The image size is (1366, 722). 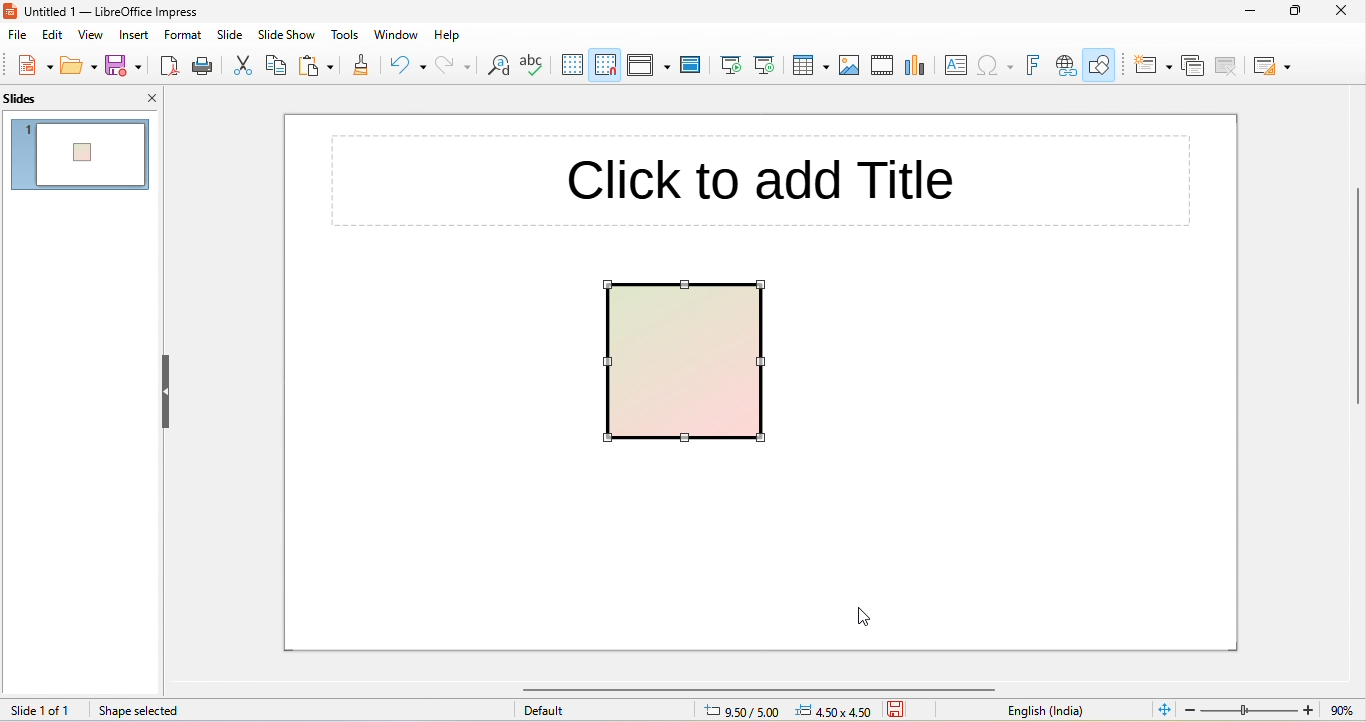 What do you see at coordinates (397, 35) in the screenshot?
I see `window` at bounding box center [397, 35].